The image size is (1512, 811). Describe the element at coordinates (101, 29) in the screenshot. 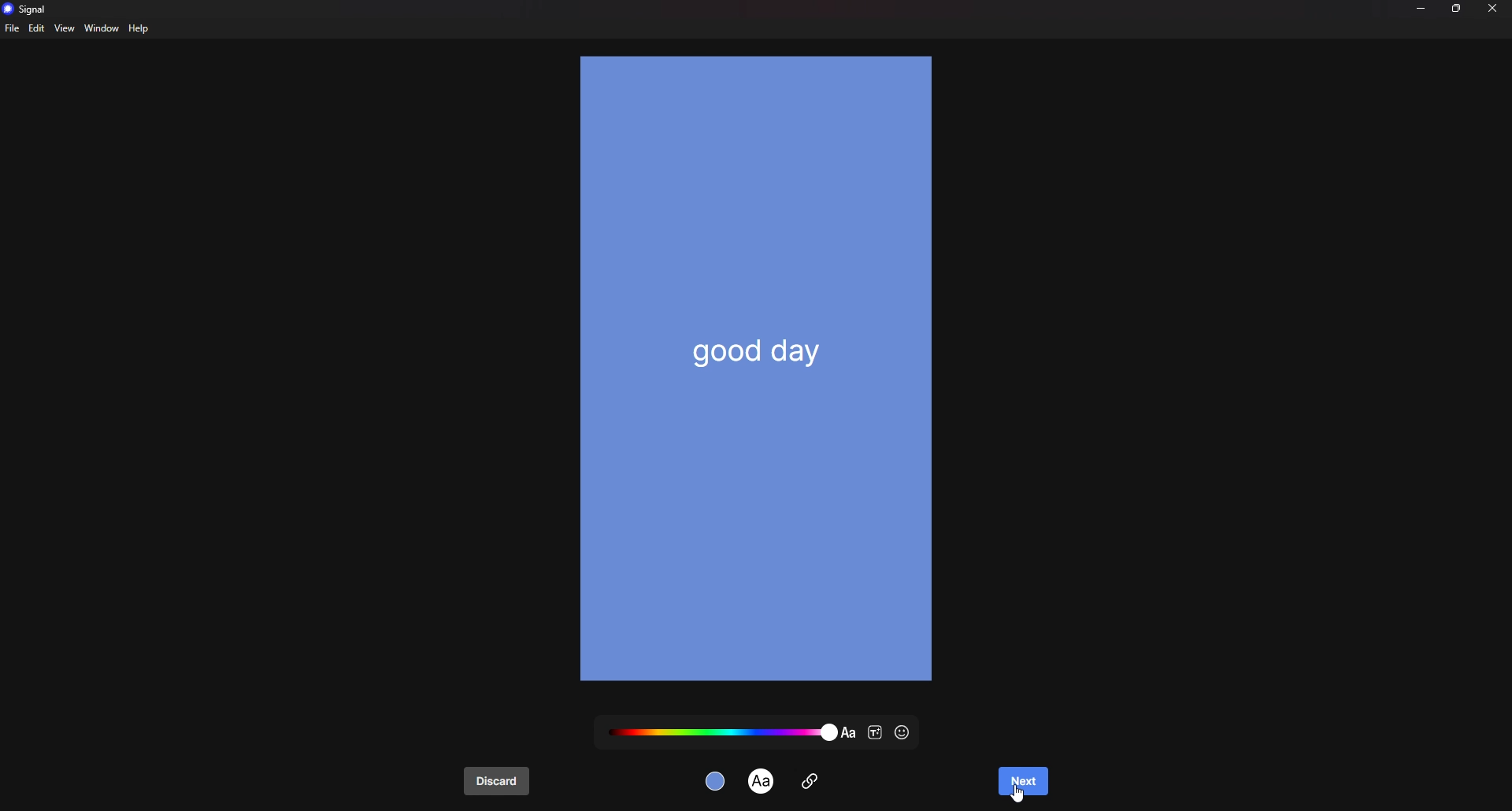

I see `window` at that location.